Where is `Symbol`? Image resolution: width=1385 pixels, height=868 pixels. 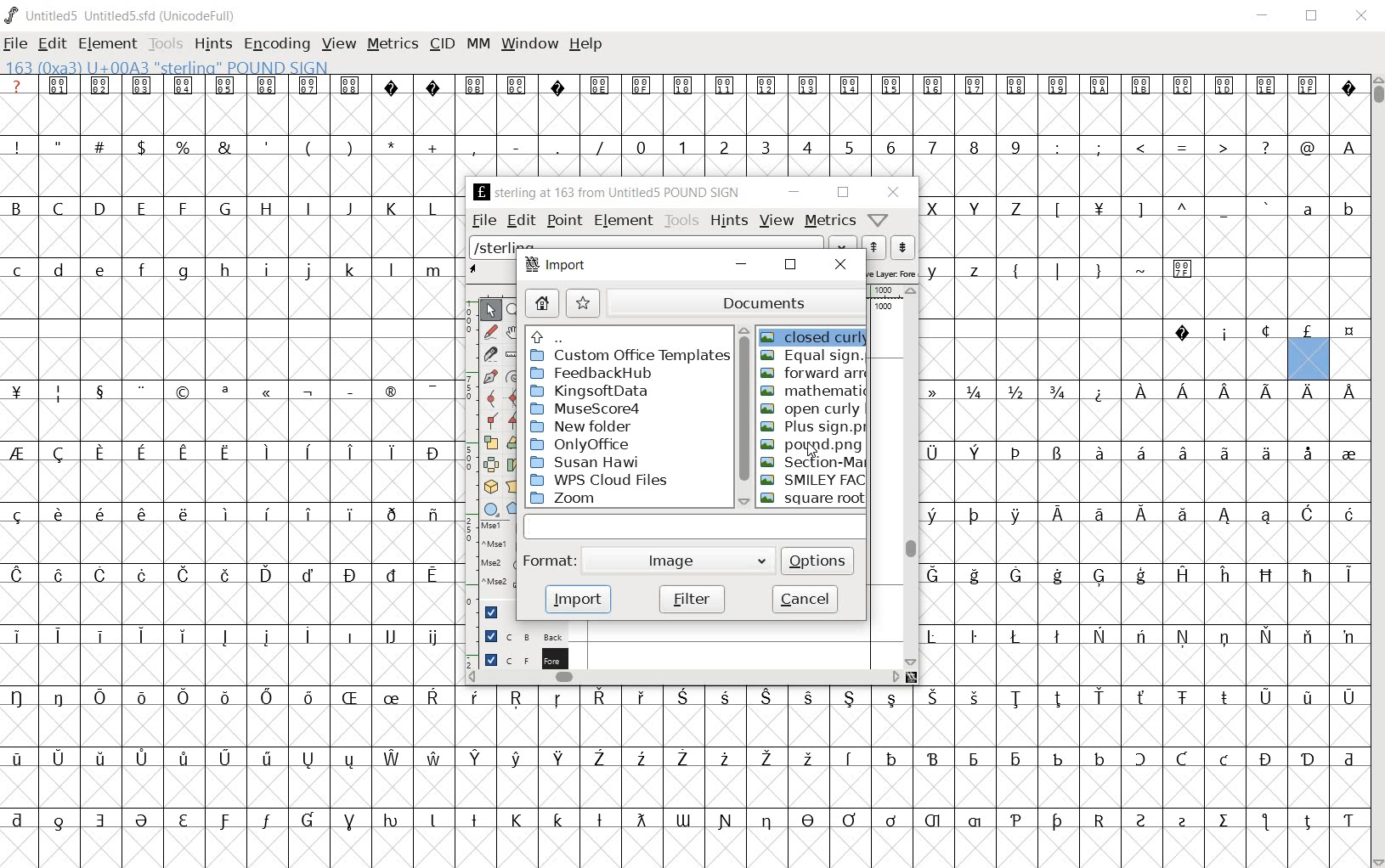
Symbol is located at coordinates (100, 820).